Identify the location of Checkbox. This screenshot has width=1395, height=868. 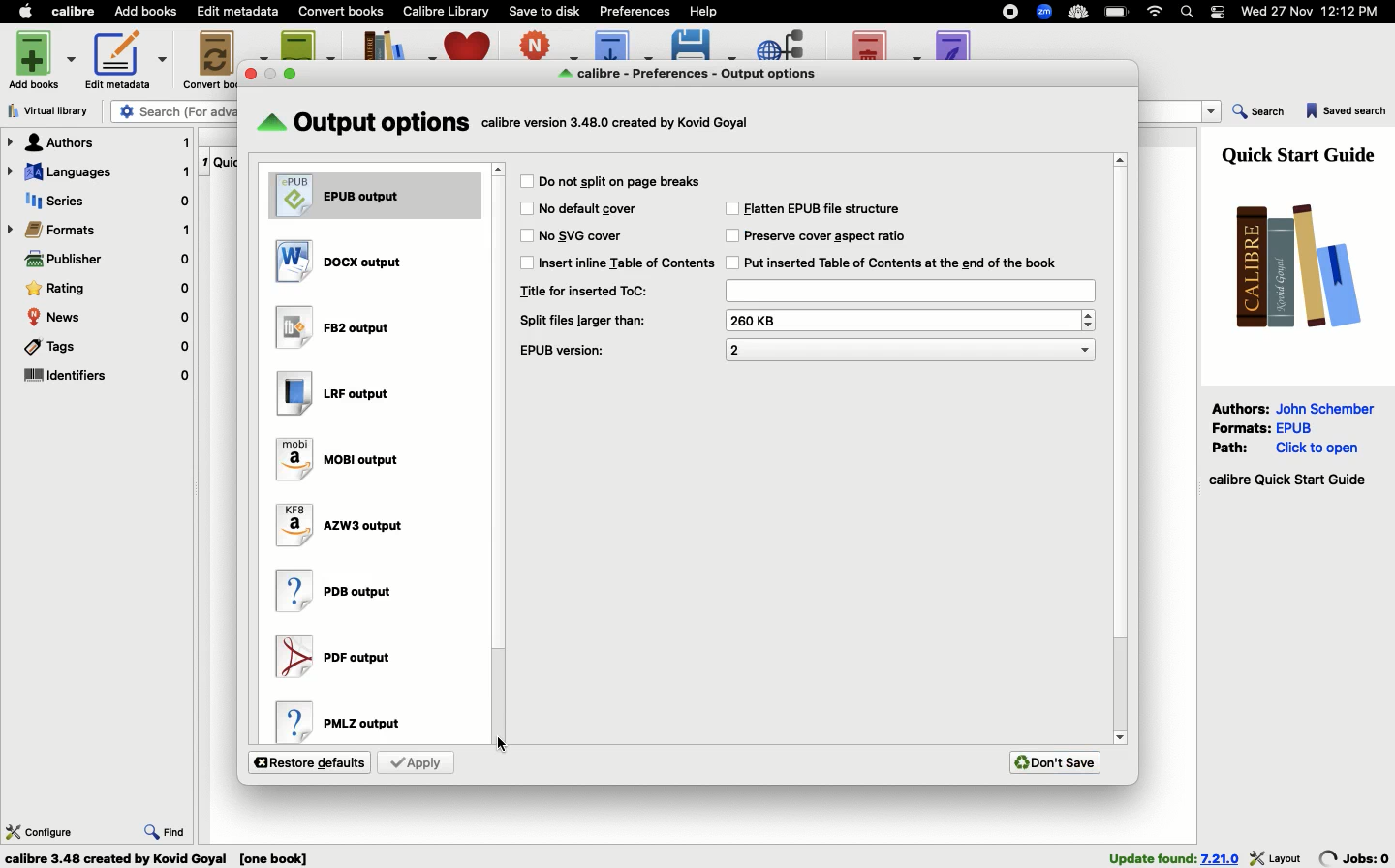
(731, 236).